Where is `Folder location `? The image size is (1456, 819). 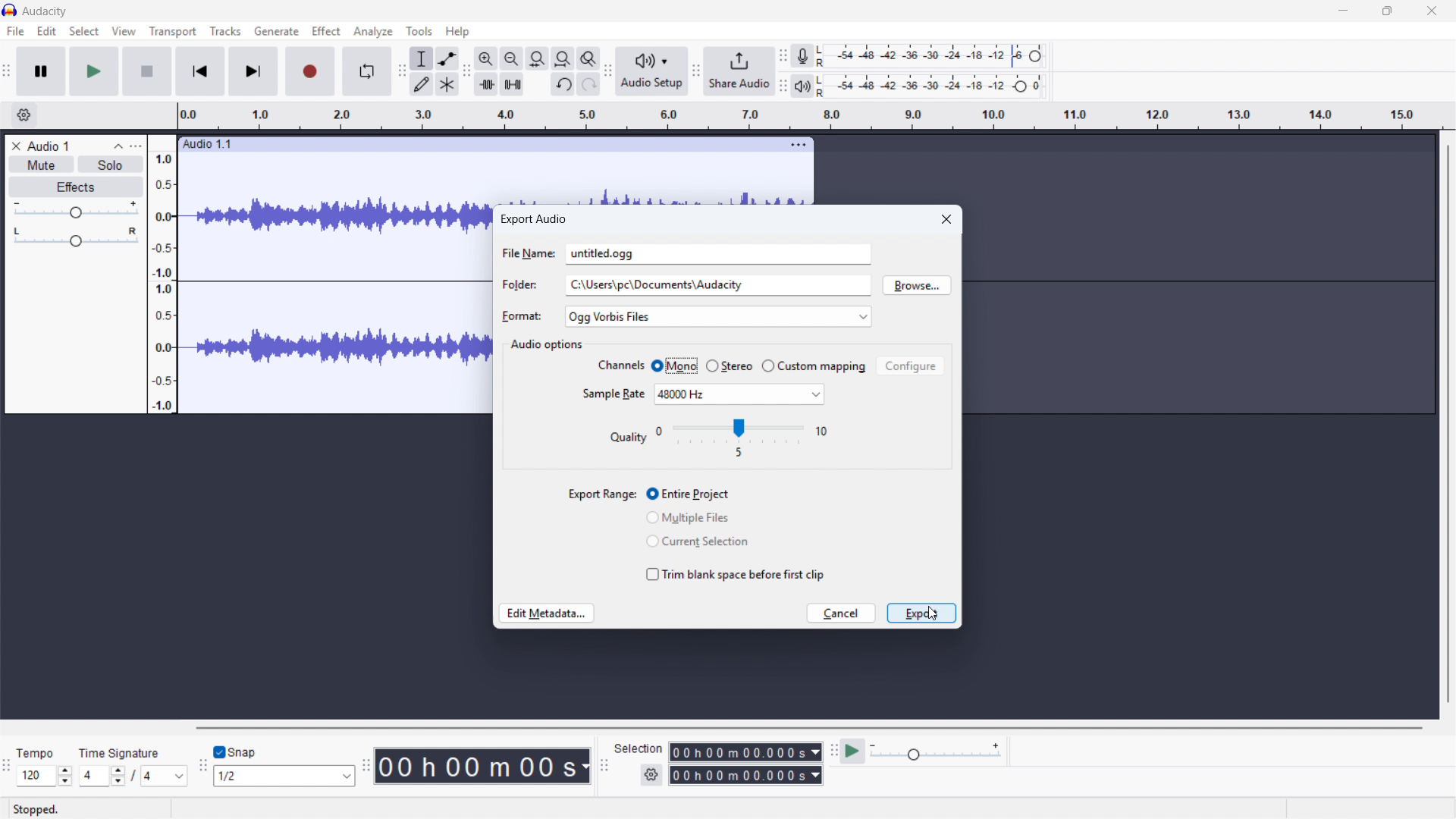 Folder location  is located at coordinates (719, 285).